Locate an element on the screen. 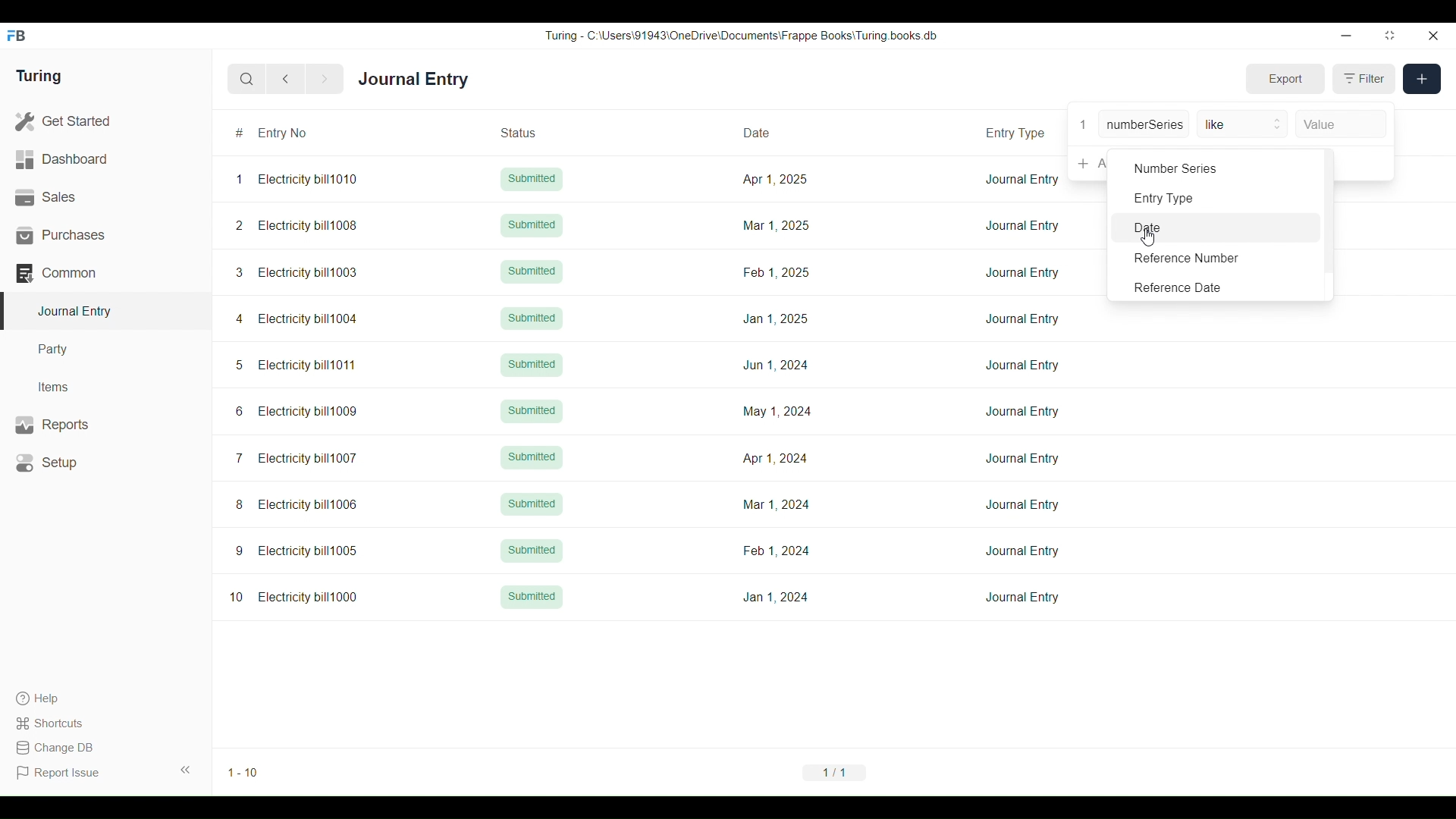 The width and height of the screenshot is (1456, 819). Add a filter is located at coordinates (1088, 164).